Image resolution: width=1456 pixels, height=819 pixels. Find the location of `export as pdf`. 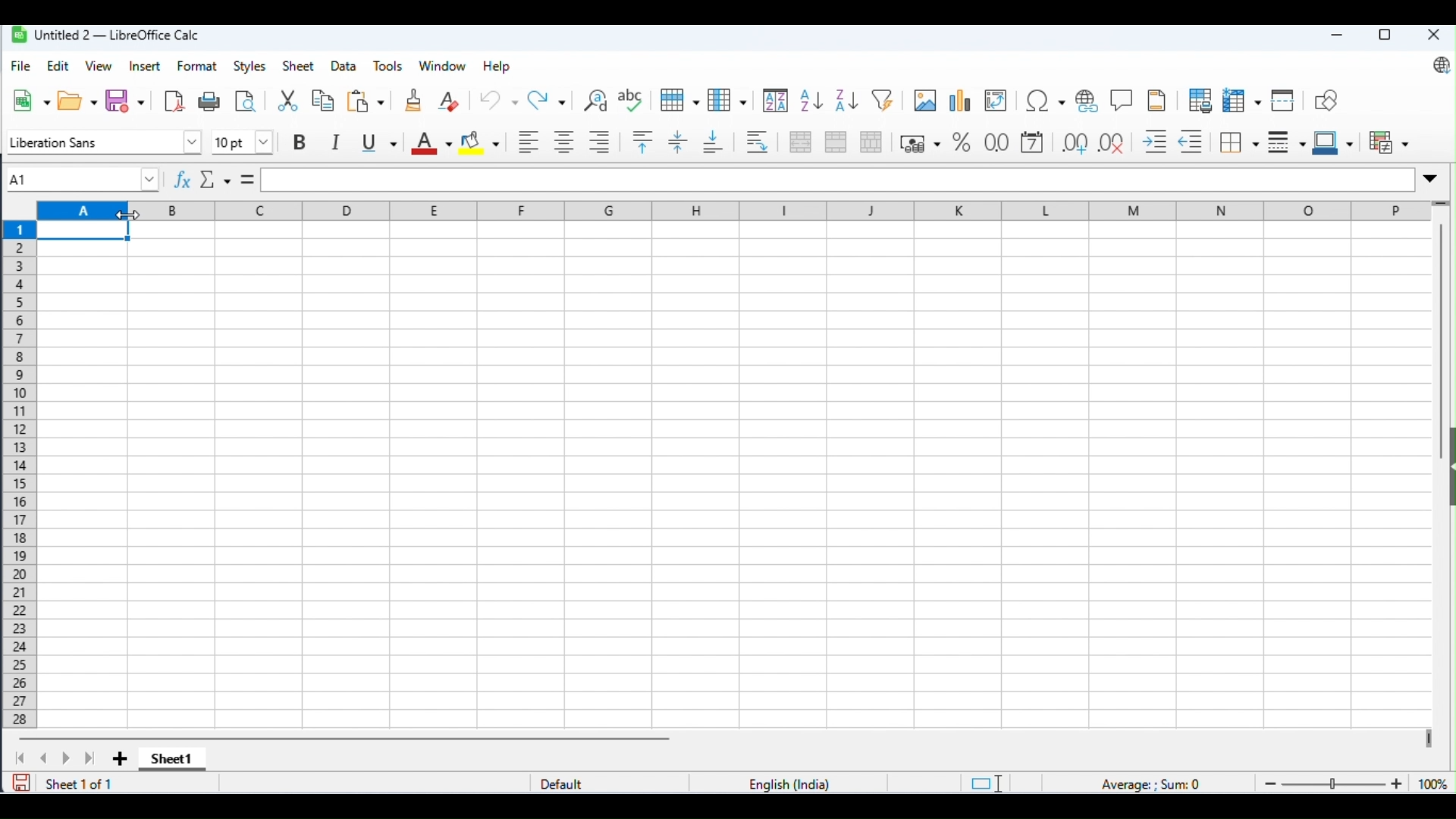

export as pdf is located at coordinates (174, 99).